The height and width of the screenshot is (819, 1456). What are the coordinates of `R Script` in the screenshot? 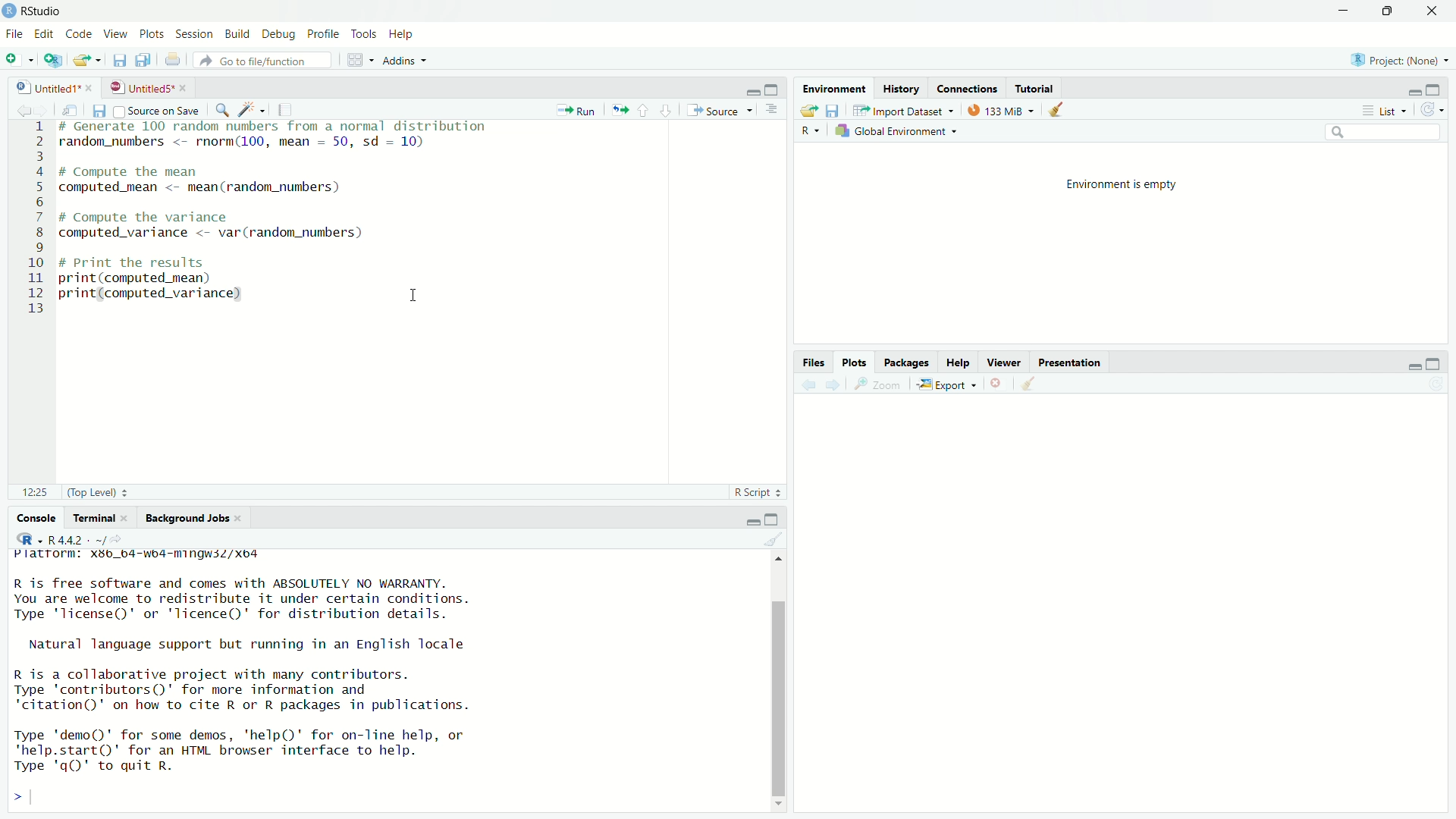 It's located at (755, 492).